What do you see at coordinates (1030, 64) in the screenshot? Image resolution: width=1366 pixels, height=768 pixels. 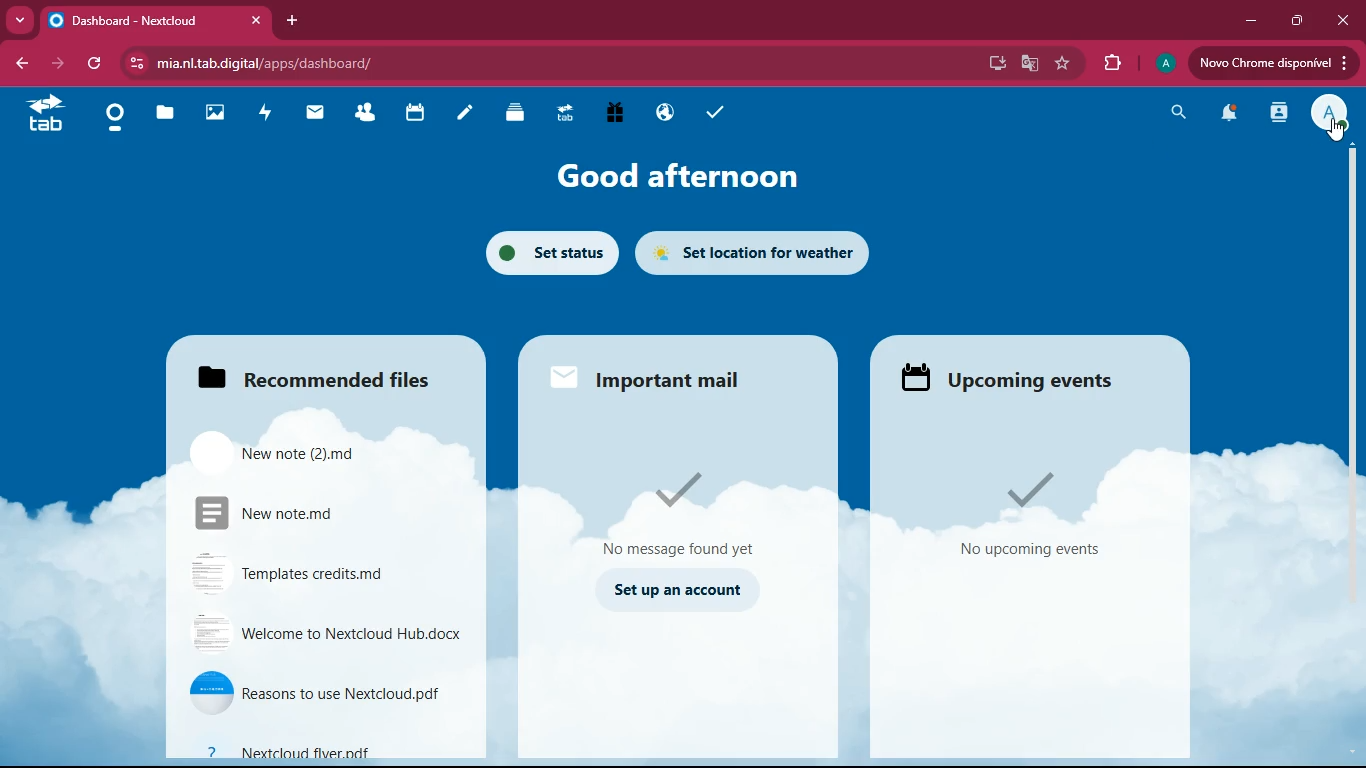 I see `google translate` at bounding box center [1030, 64].